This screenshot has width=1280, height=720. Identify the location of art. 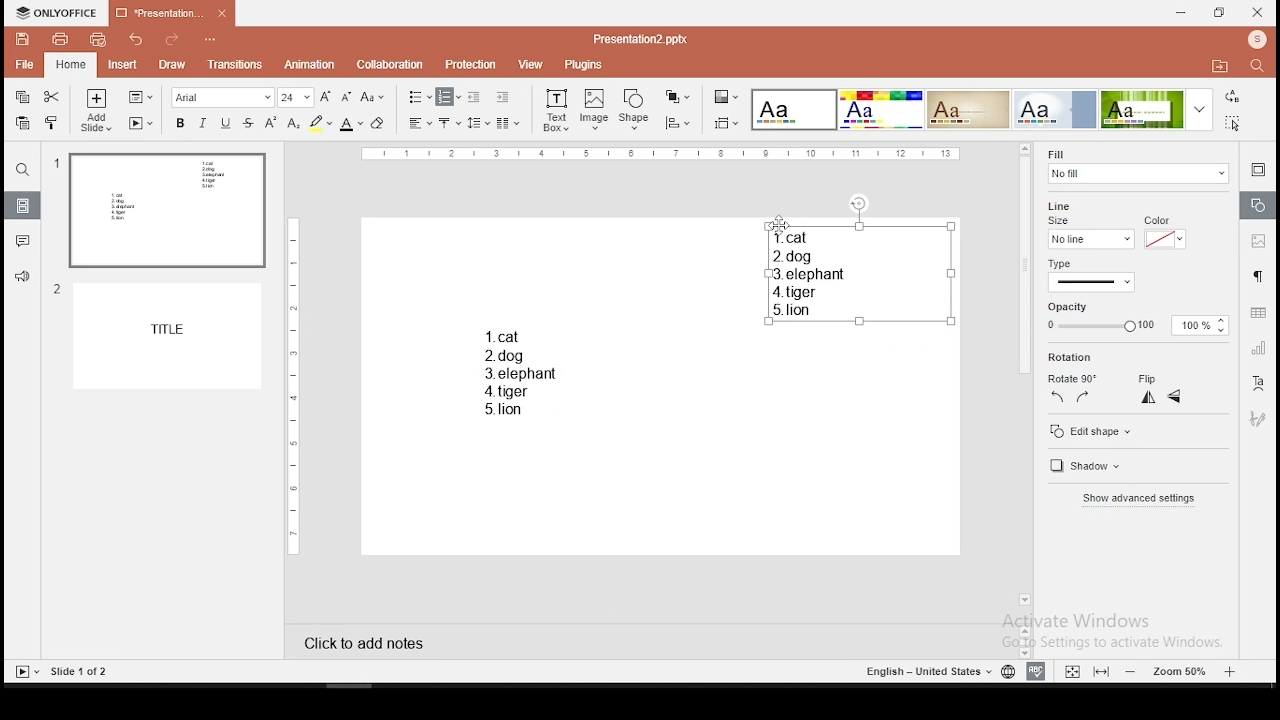
(1260, 418).